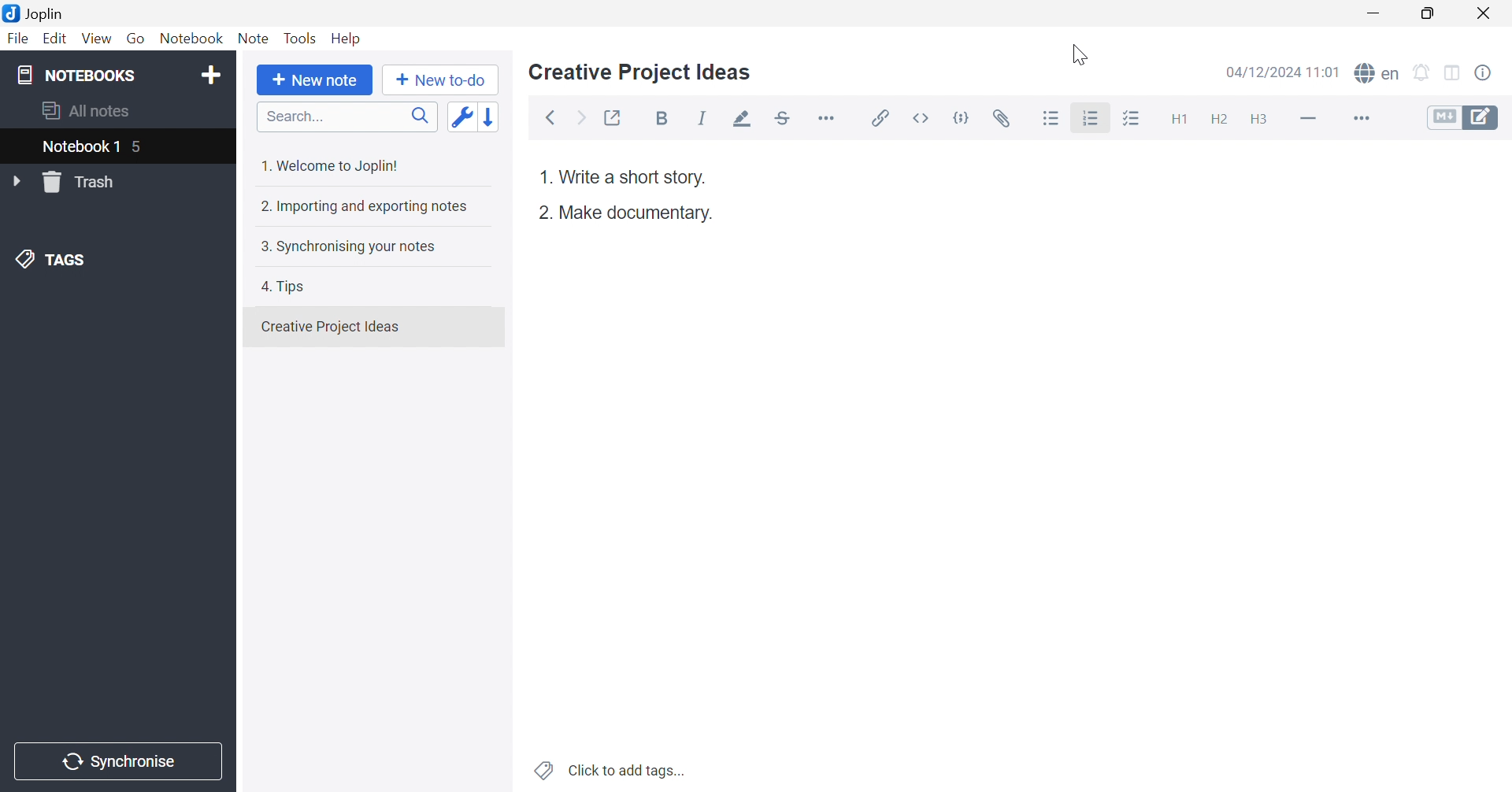  I want to click on Cursor, so click(1095, 124).